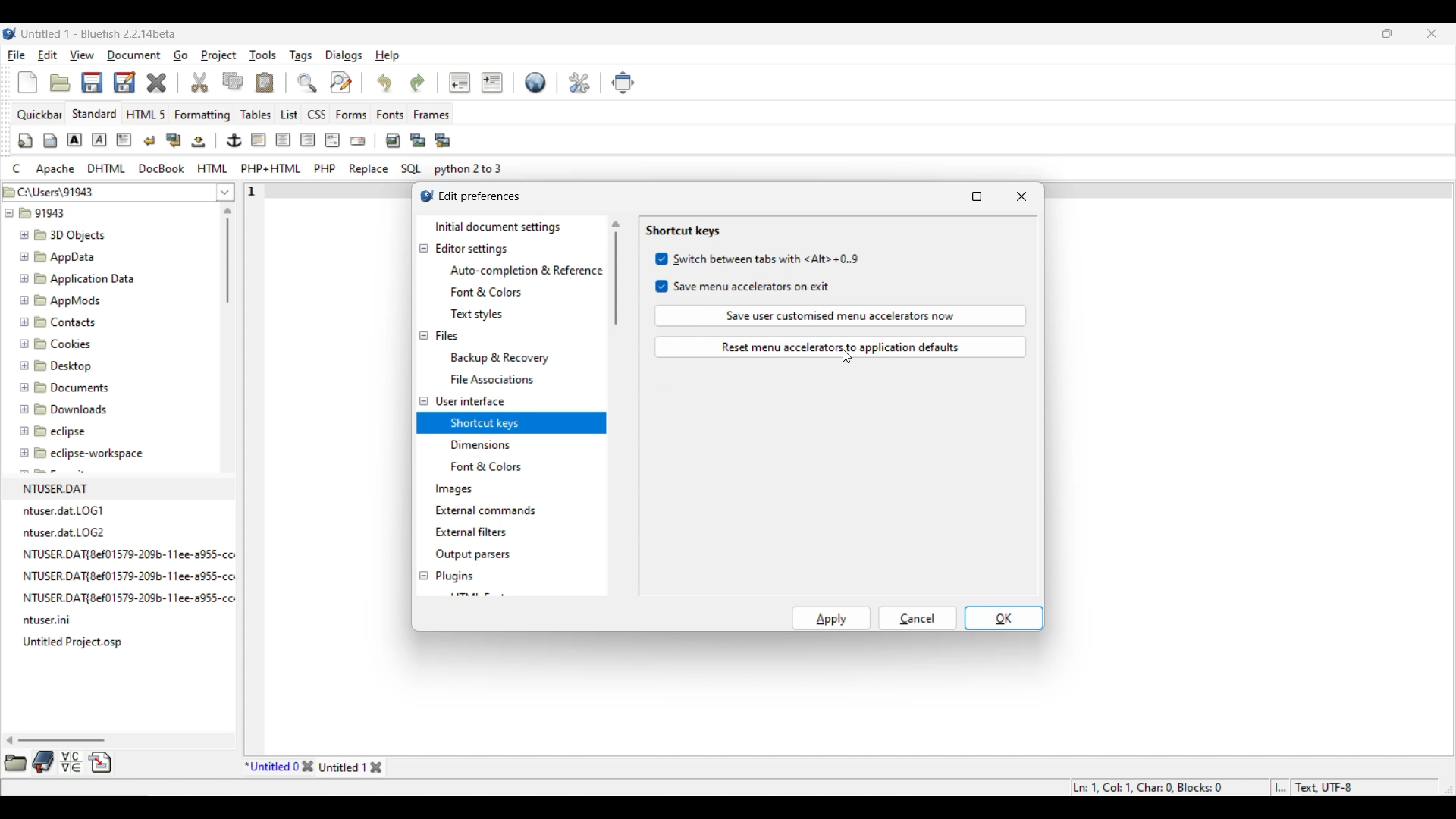  I want to click on 1, so click(254, 188).